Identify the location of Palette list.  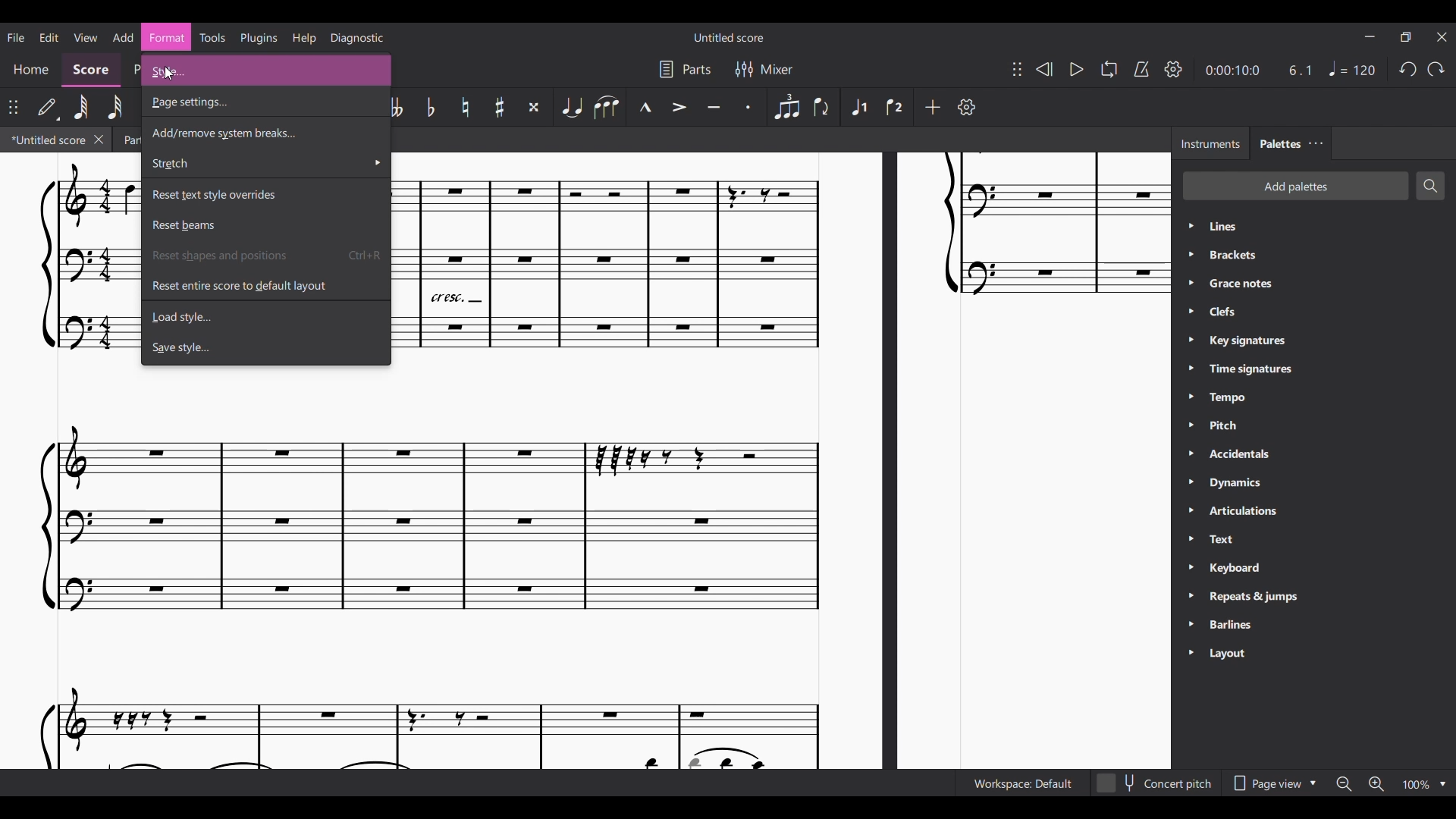
(1329, 441).